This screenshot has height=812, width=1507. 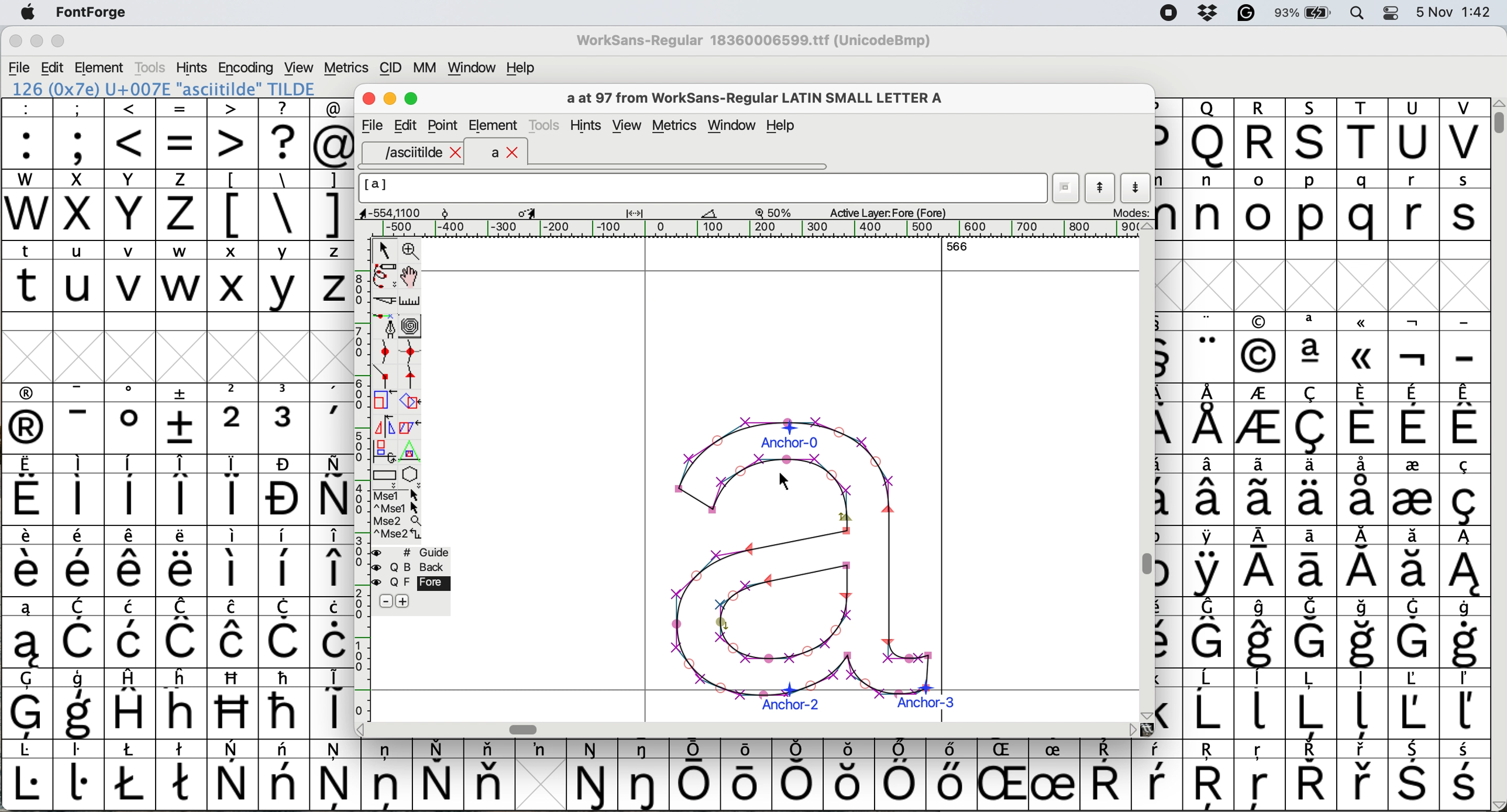 What do you see at coordinates (1466, 776) in the screenshot?
I see `symbol` at bounding box center [1466, 776].